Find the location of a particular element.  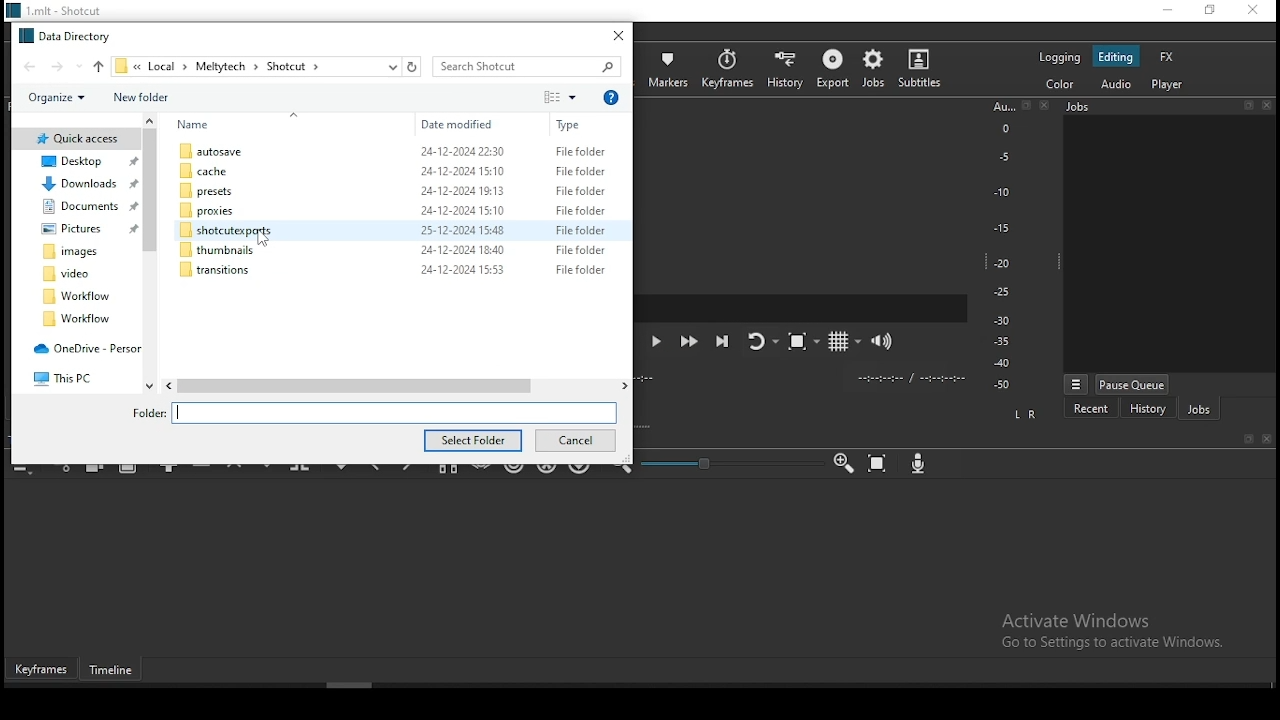

play/pause is located at coordinates (660, 345).